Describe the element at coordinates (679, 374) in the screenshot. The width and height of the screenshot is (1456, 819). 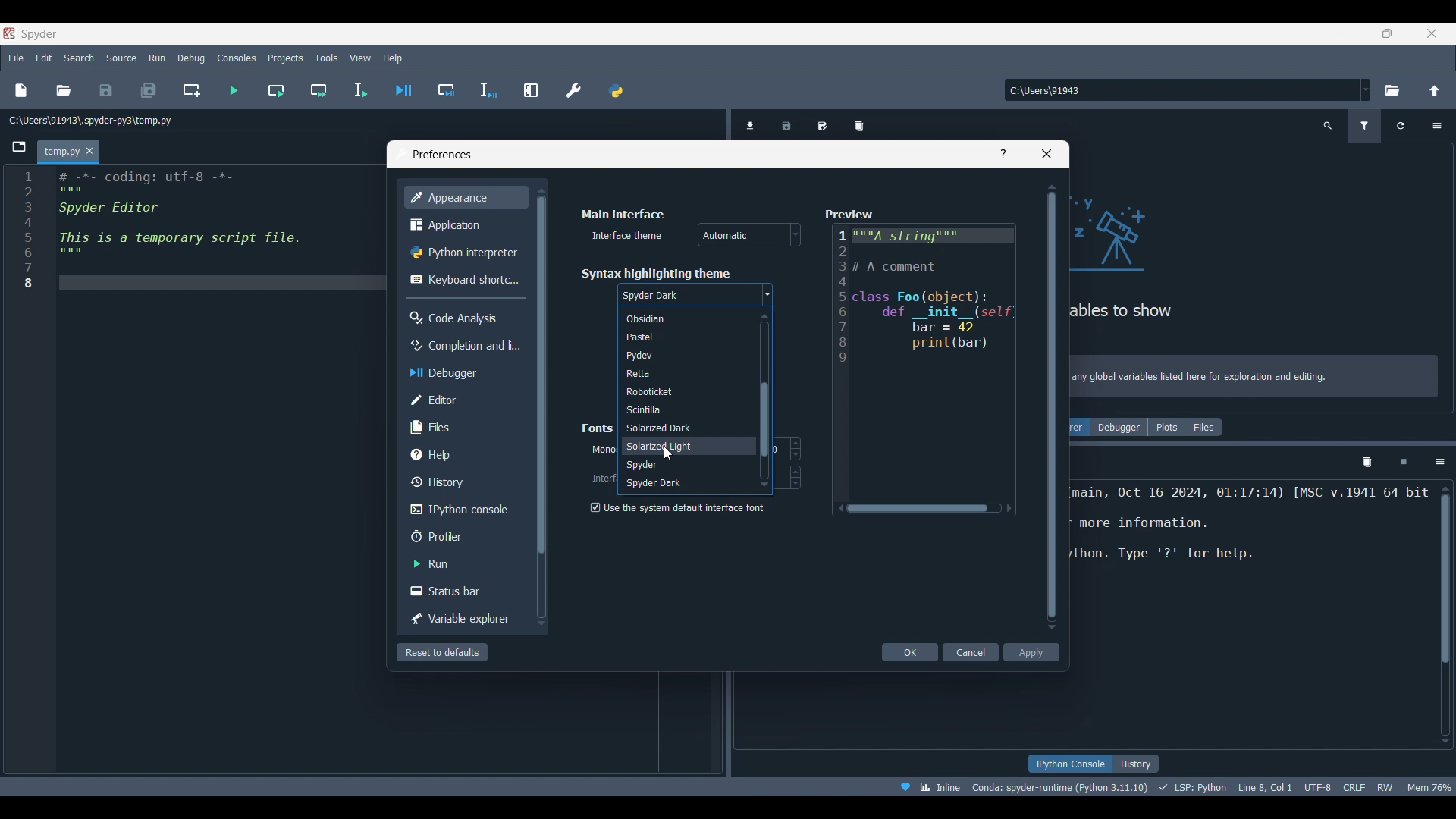
I see `retta` at that location.